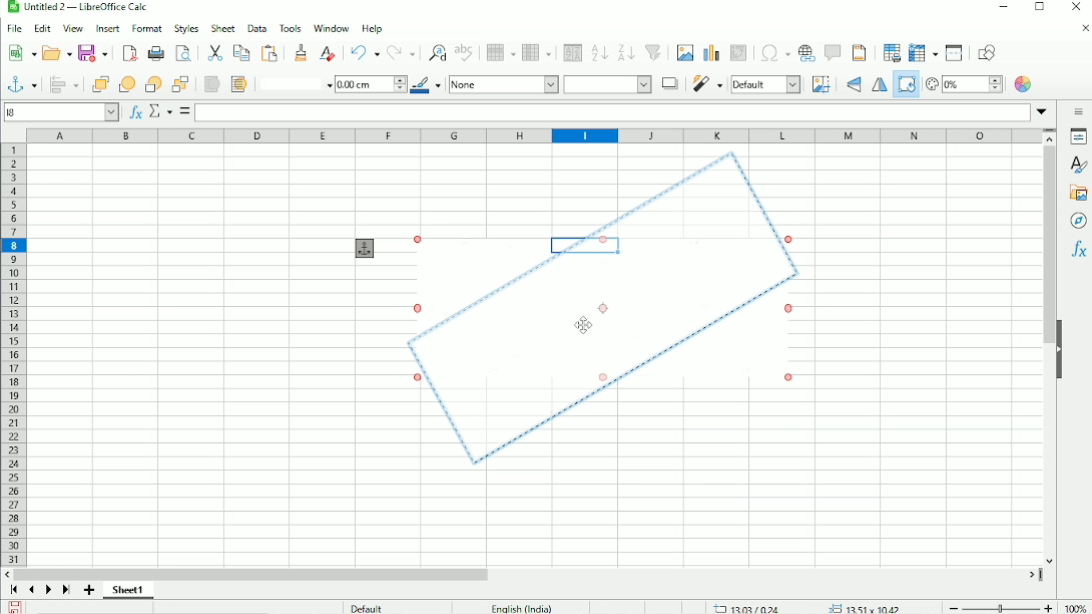 The image size is (1092, 614). Describe the element at coordinates (93, 53) in the screenshot. I see `Save` at that location.